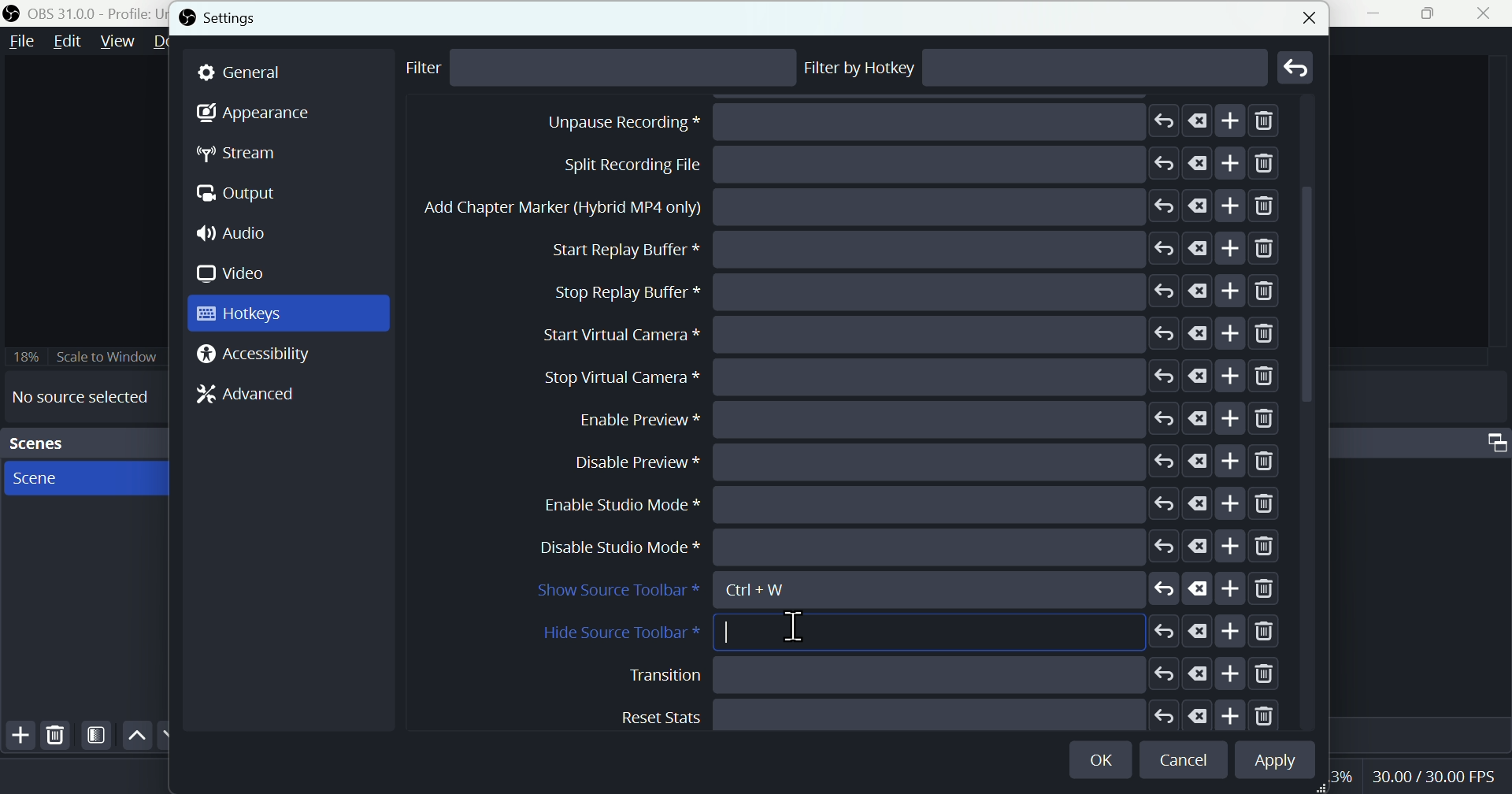 This screenshot has width=1512, height=794. Describe the element at coordinates (82, 443) in the screenshot. I see `Scenes` at that location.